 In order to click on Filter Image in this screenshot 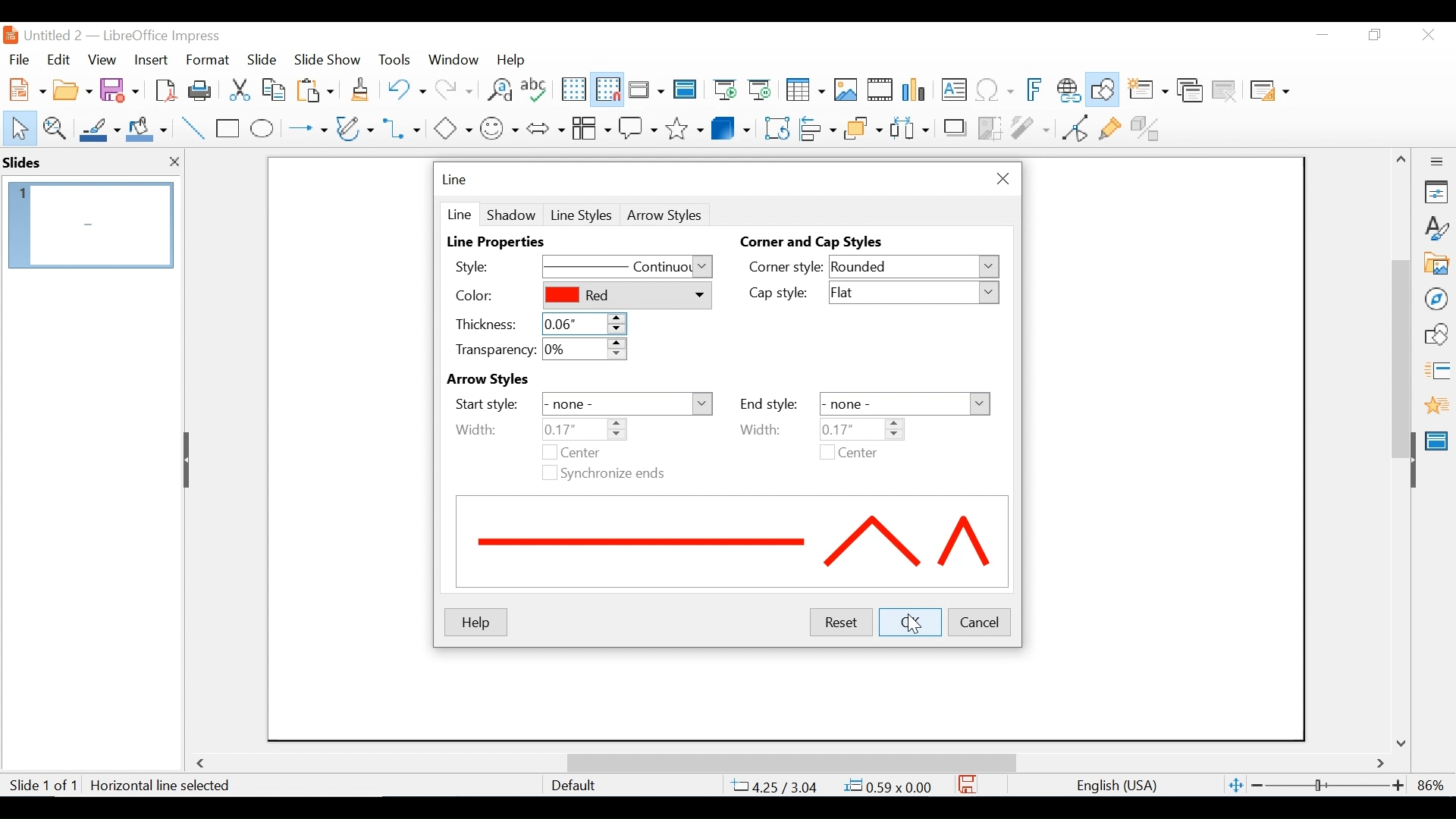, I will do `click(1030, 127)`.